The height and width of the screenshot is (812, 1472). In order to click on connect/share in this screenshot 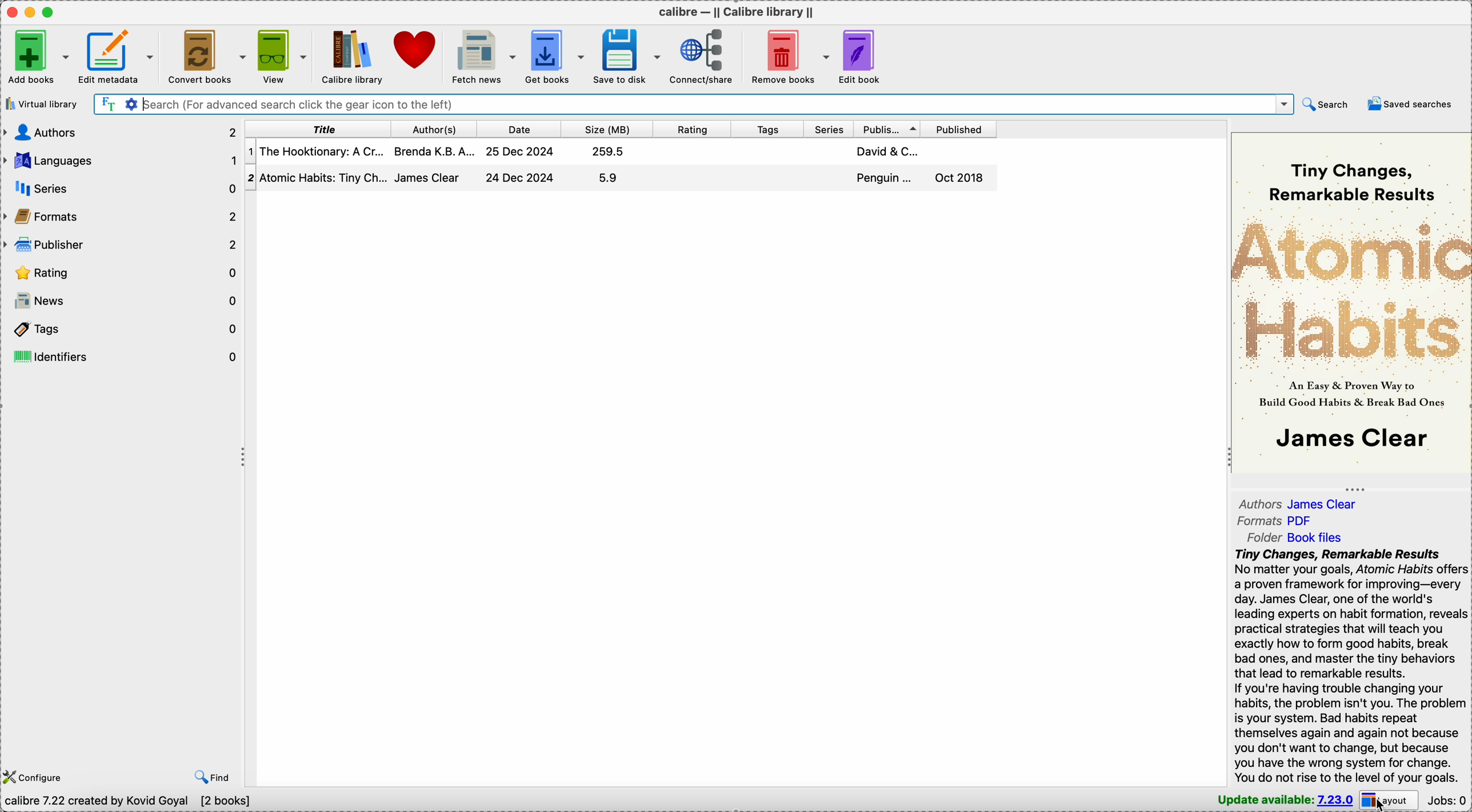, I will do `click(705, 55)`.